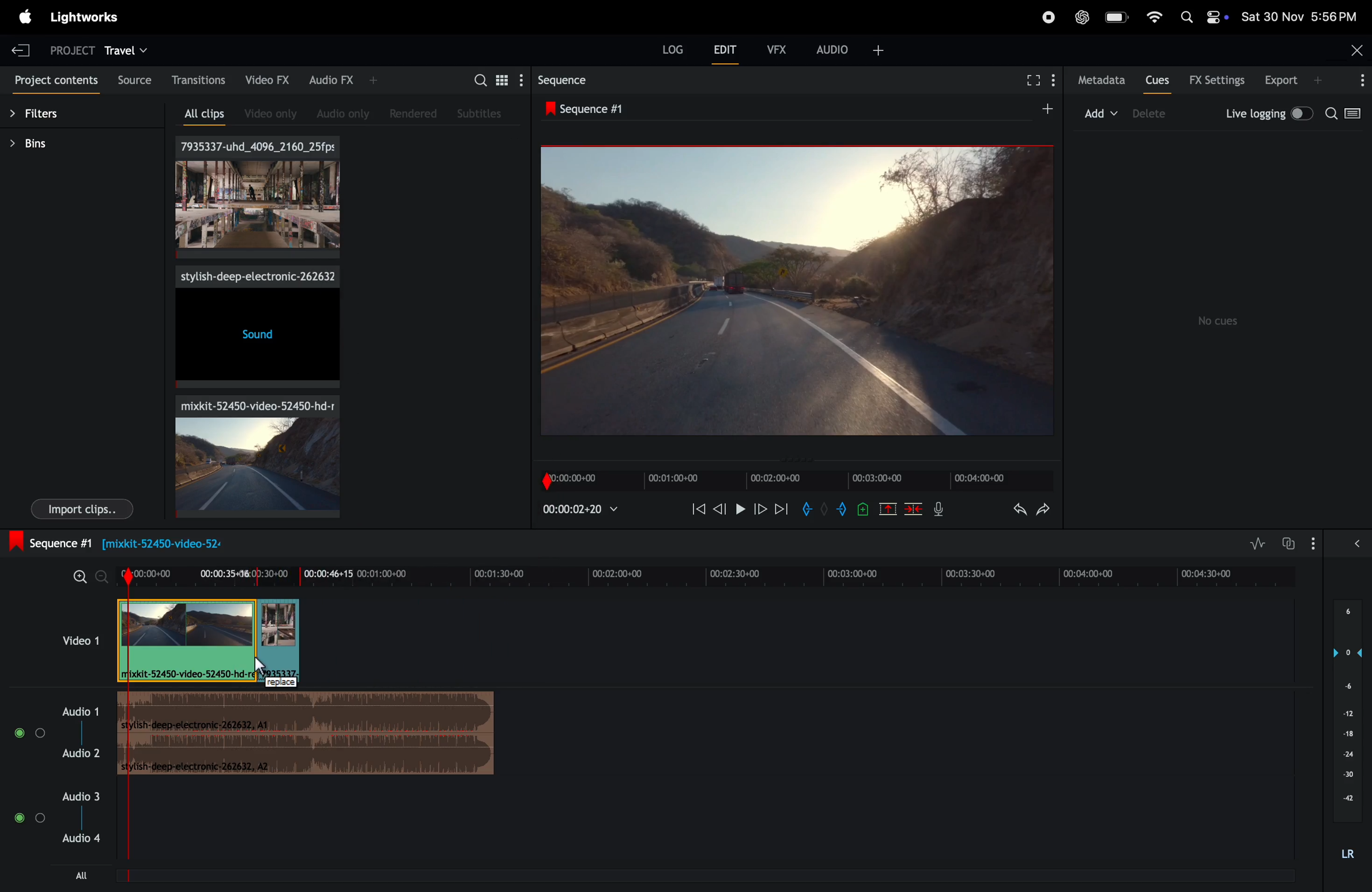 This screenshot has height=892, width=1372. I want to click on next frame, so click(761, 511).